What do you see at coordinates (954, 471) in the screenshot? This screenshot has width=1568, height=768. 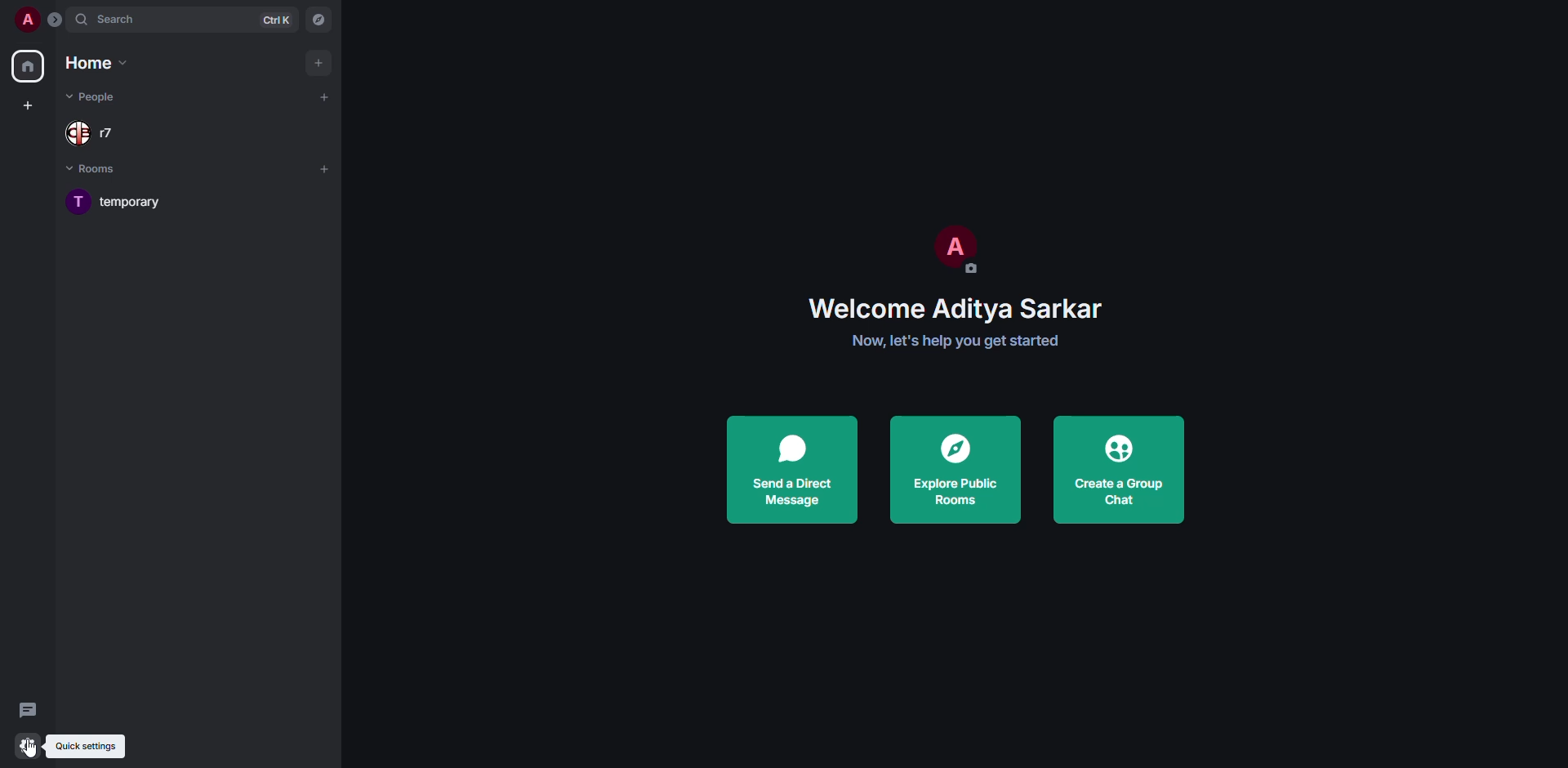 I see `explore public rooms` at bounding box center [954, 471].